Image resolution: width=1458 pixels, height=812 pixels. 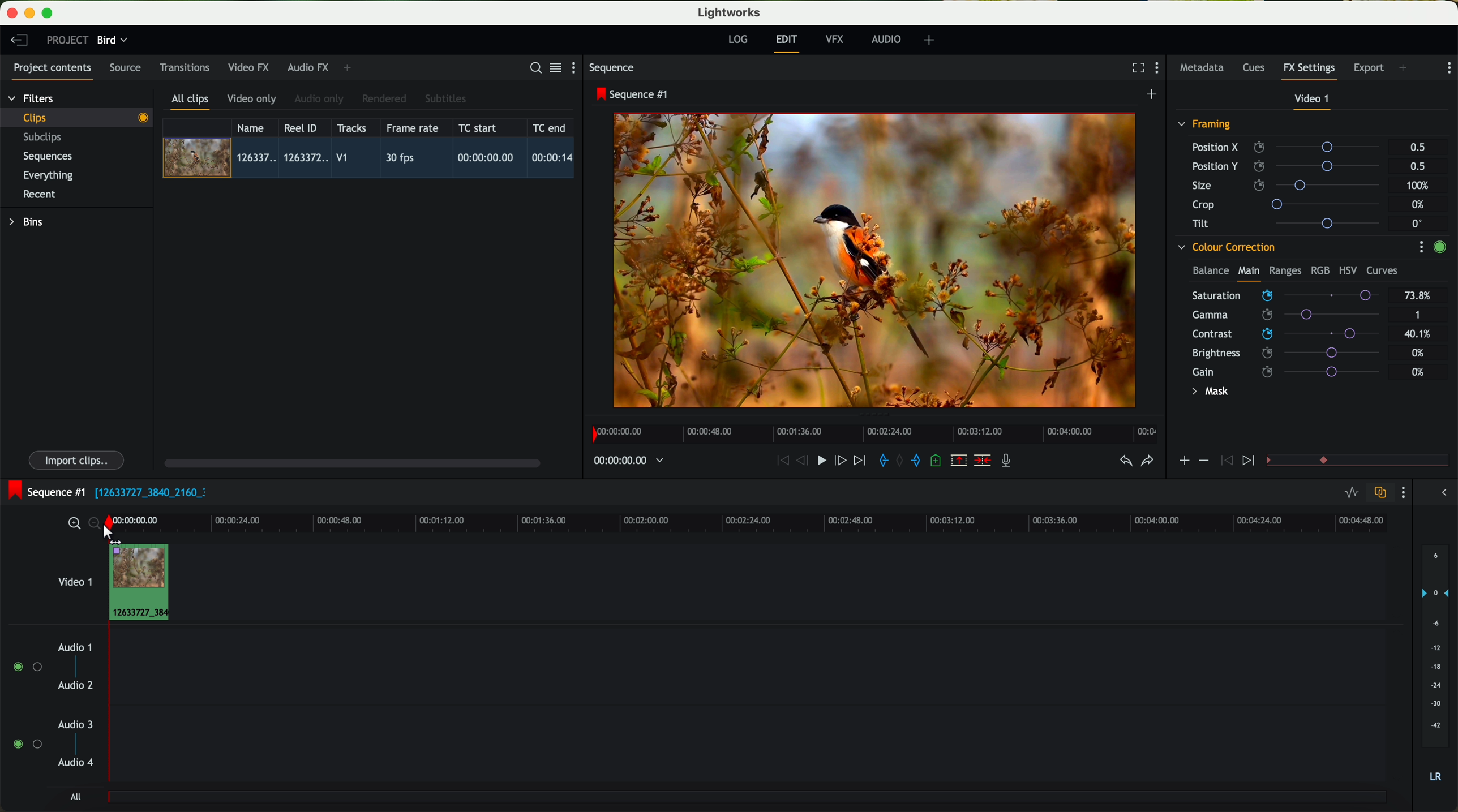 I want to click on play, so click(x=821, y=459).